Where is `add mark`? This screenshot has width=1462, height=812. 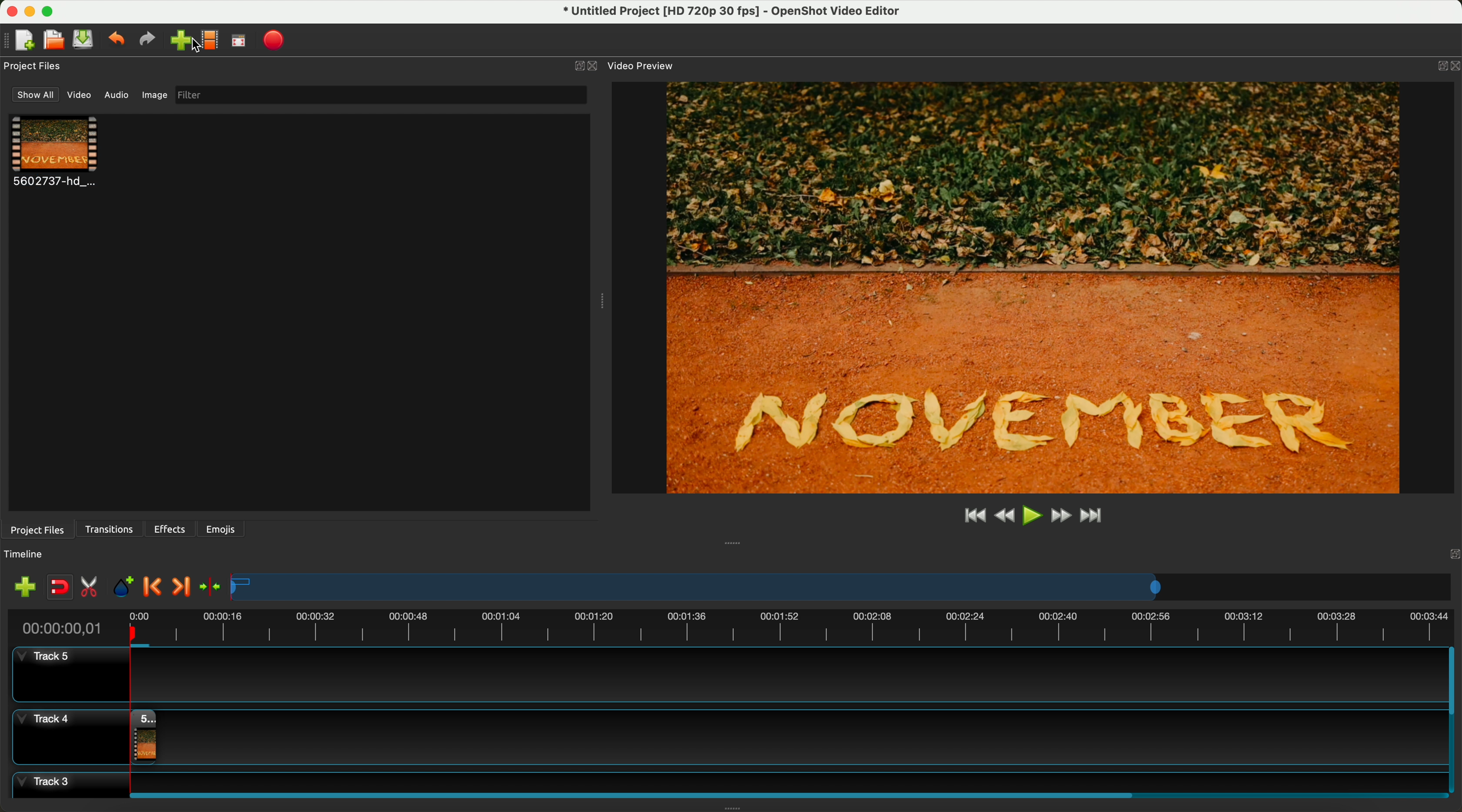 add mark is located at coordinates (126, 589).